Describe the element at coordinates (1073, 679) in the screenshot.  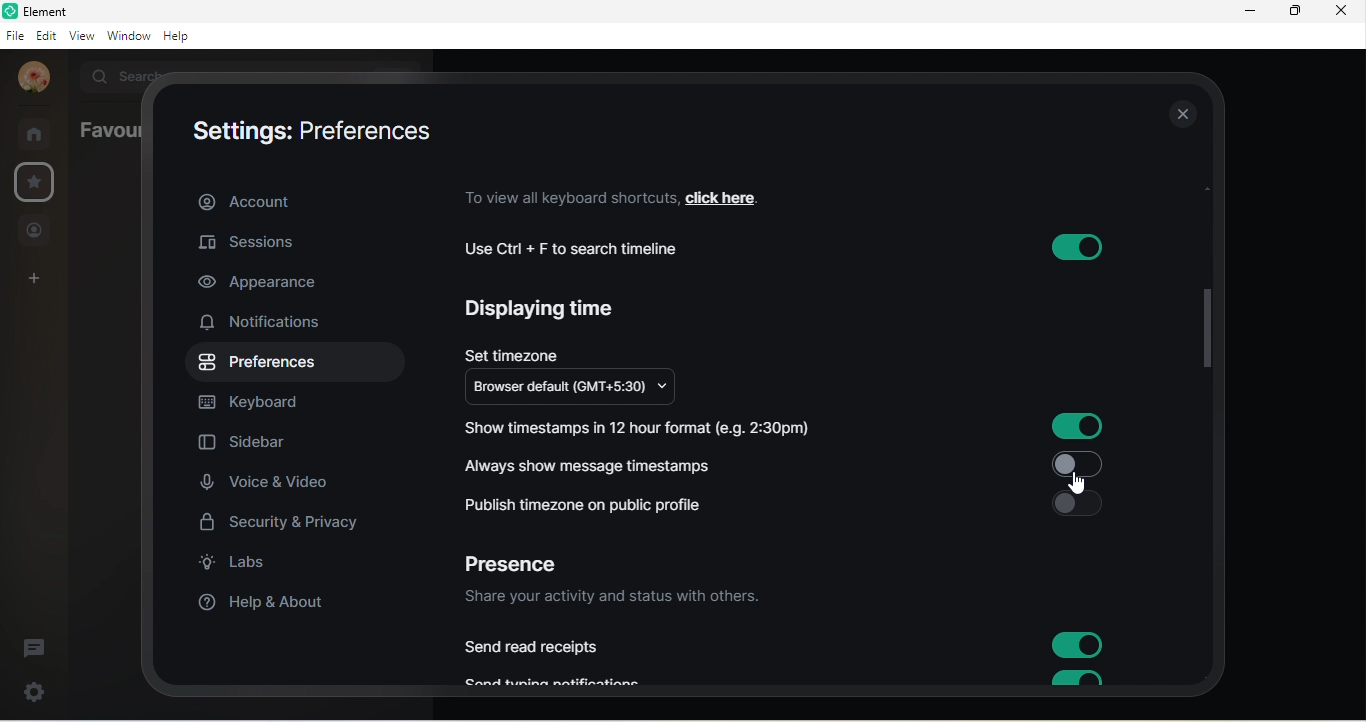
I see `button` at that location.